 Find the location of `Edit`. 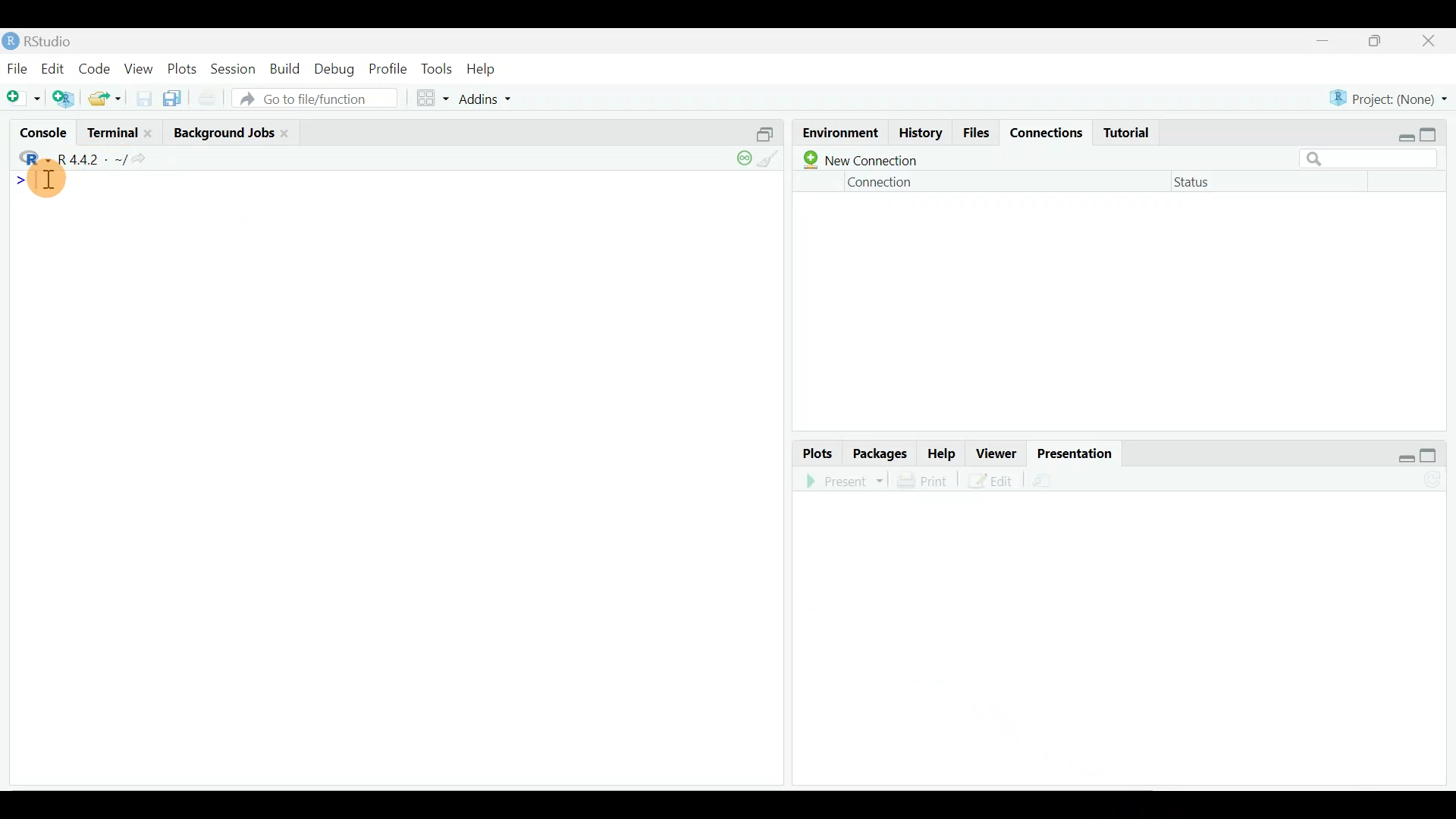

Edit is located at coordinates (55, 67).